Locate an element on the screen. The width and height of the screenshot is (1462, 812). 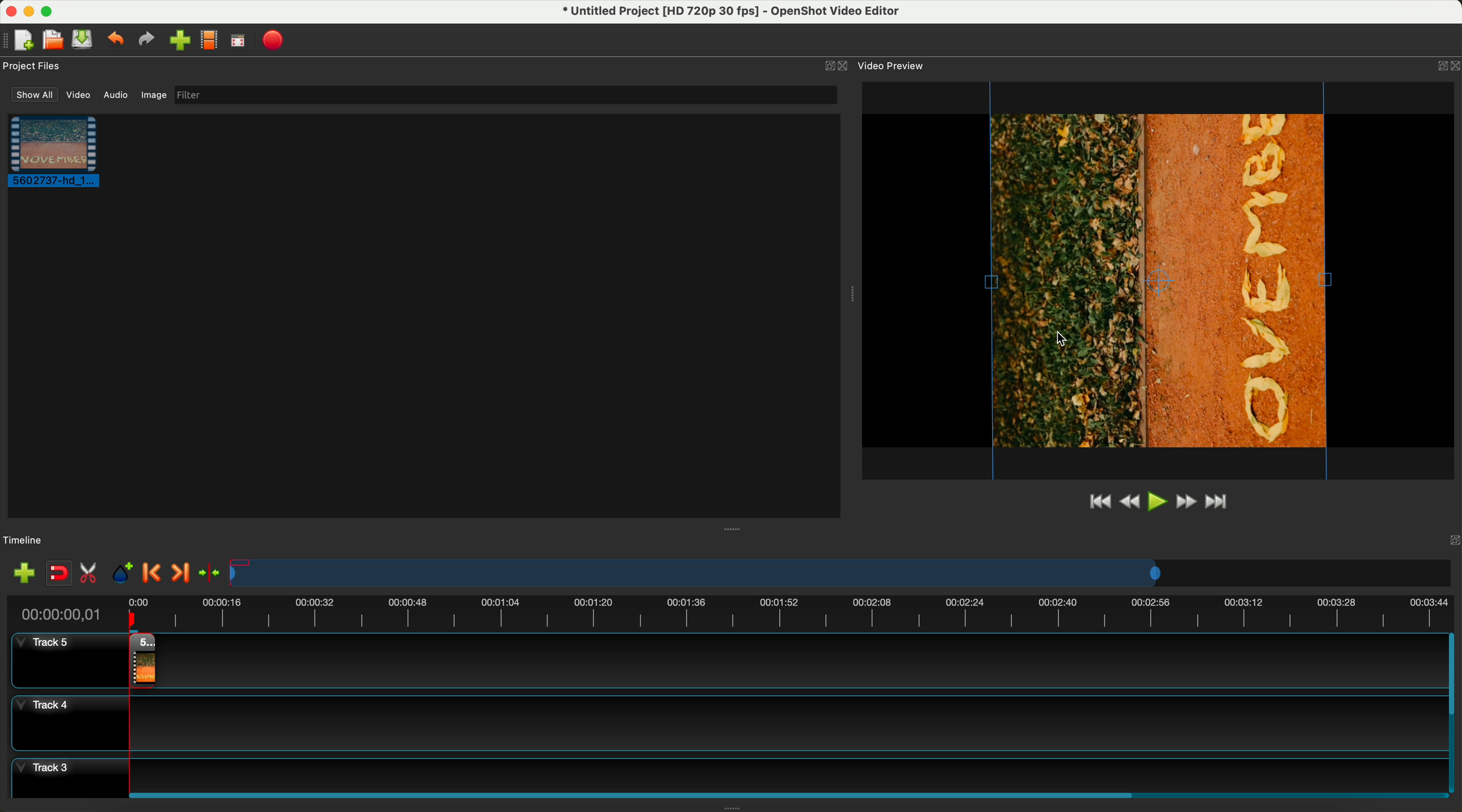
jump to end is located at coordinates (1224, 503).